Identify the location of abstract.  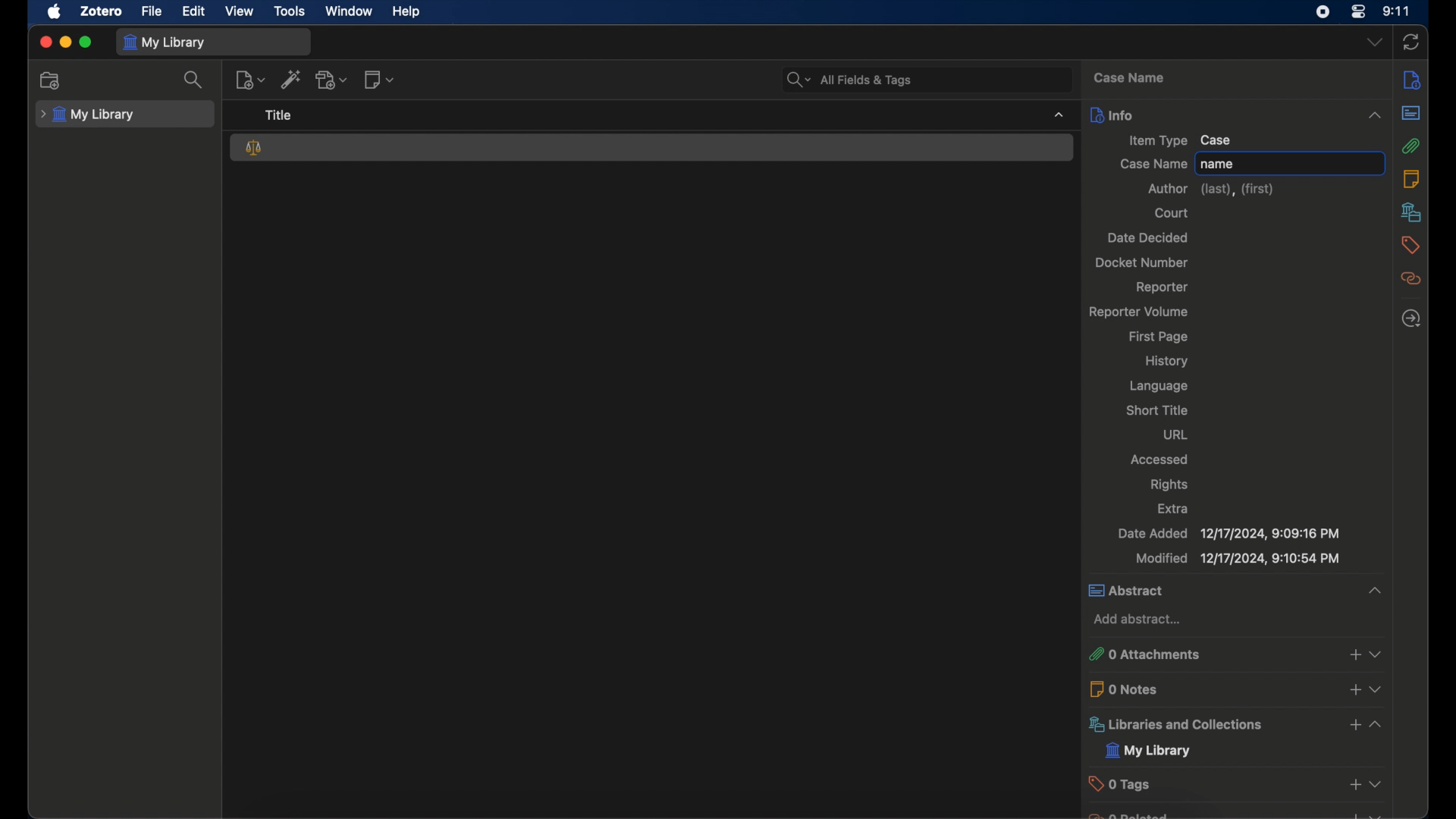
(1411, 113).